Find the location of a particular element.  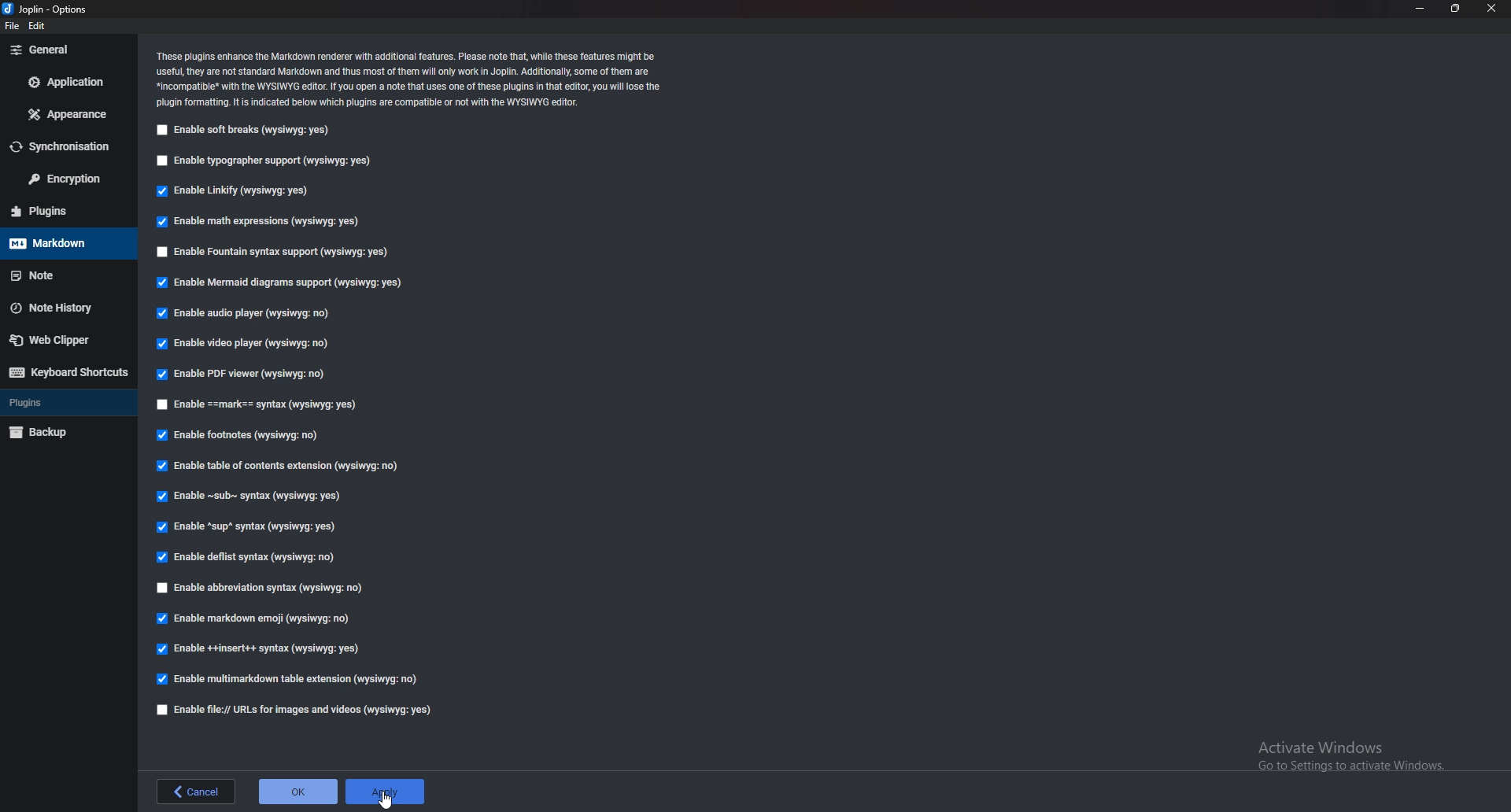

Enable sup syntax is located at coordinates (244, 529).